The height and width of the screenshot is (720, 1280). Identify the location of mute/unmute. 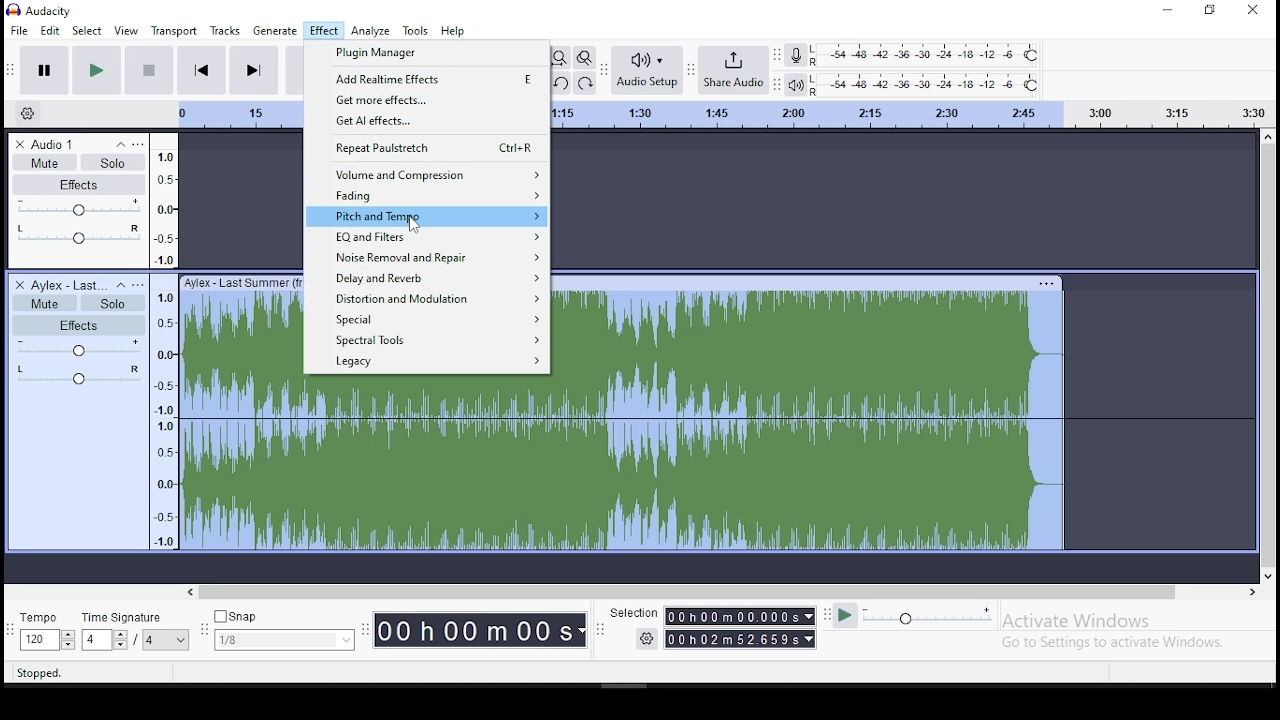
(44, 162).